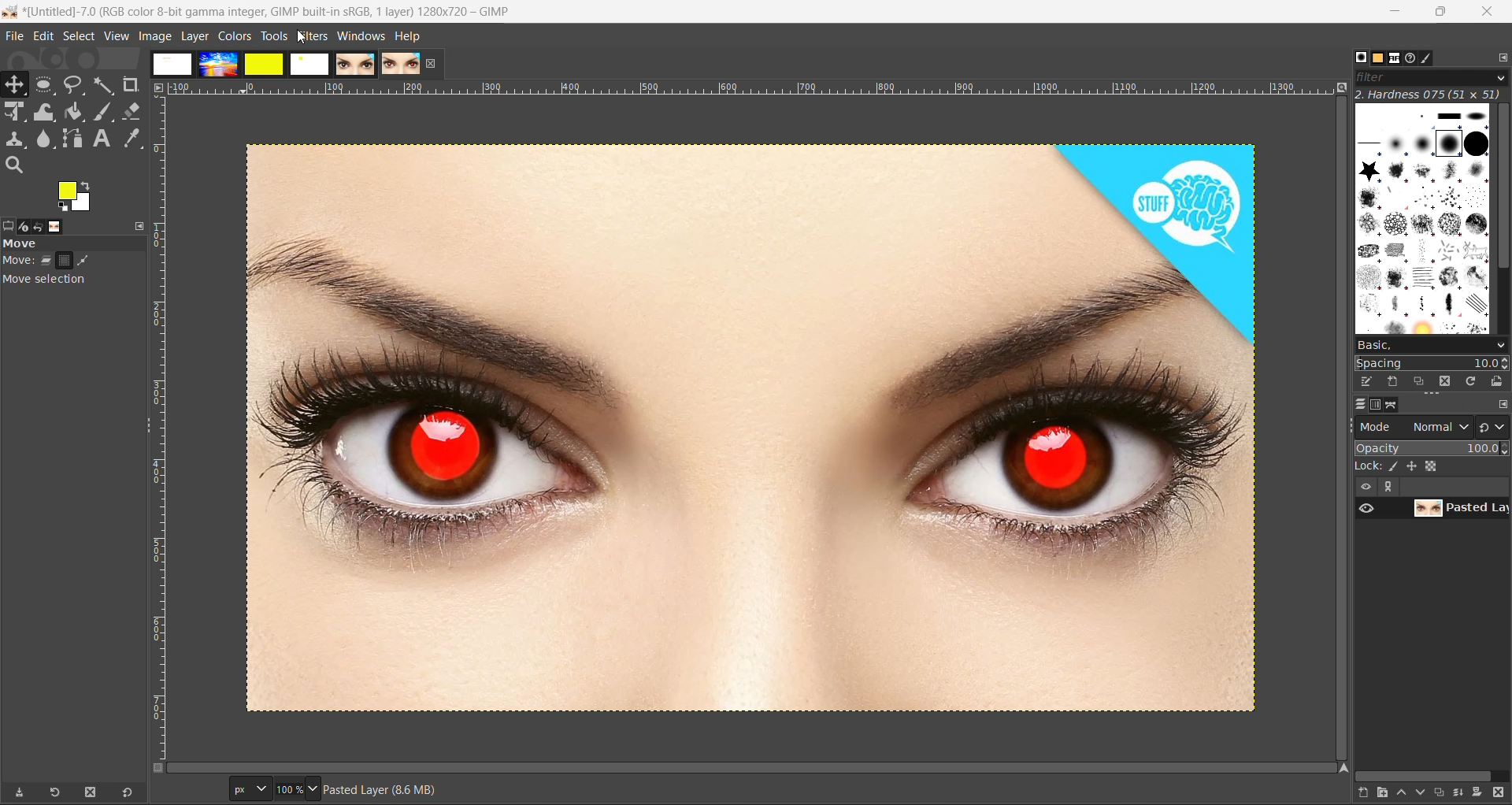  What do you see at coordinates (76, 196) in the screenshot?
I see `active foreground and background color` at bounding box center [76, 196].